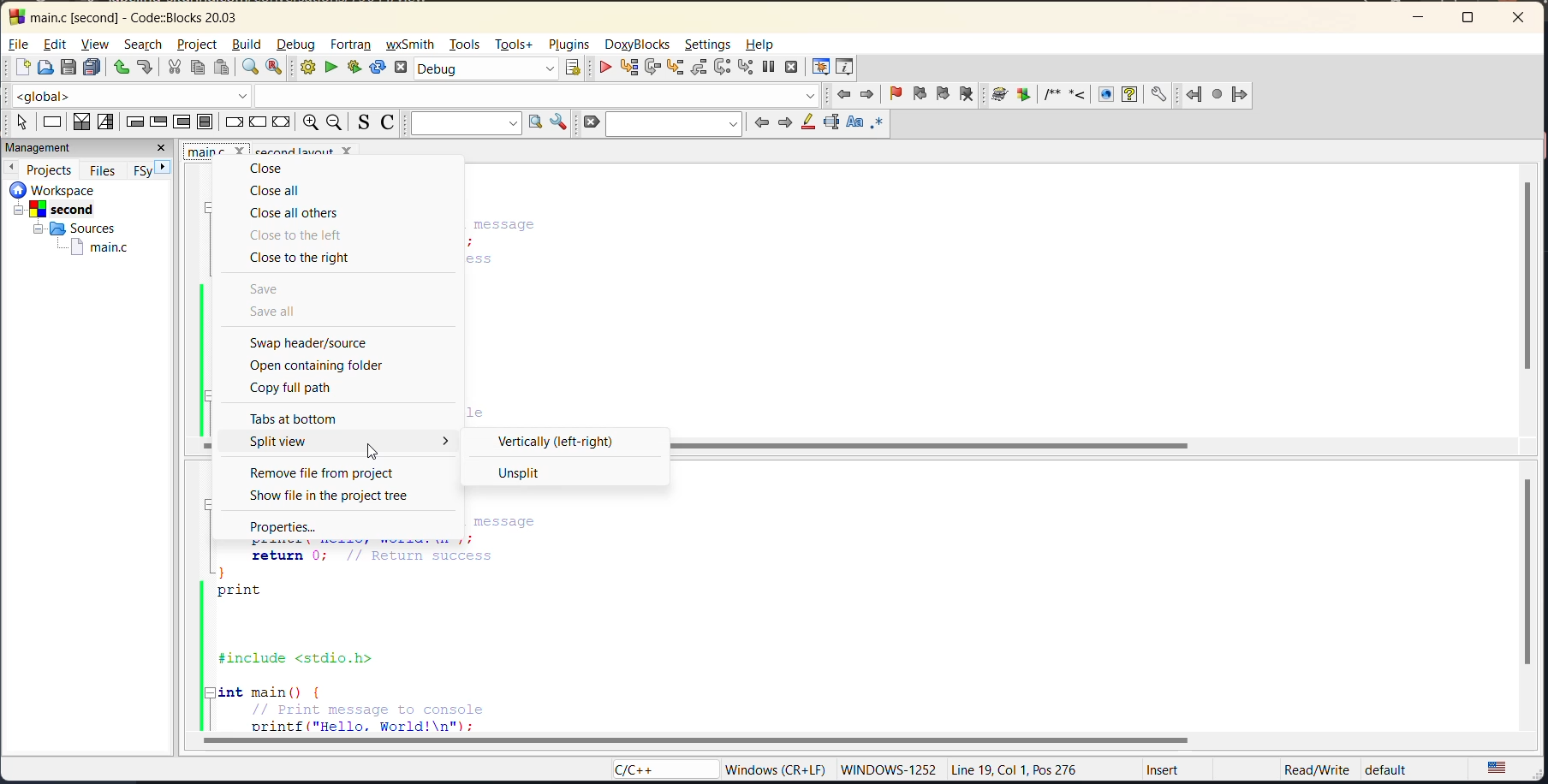 The width and height of the screenshot is (1548, 784). Describe the element at coordinates (536, 124) in the screenshot. I see `run search` at that location.